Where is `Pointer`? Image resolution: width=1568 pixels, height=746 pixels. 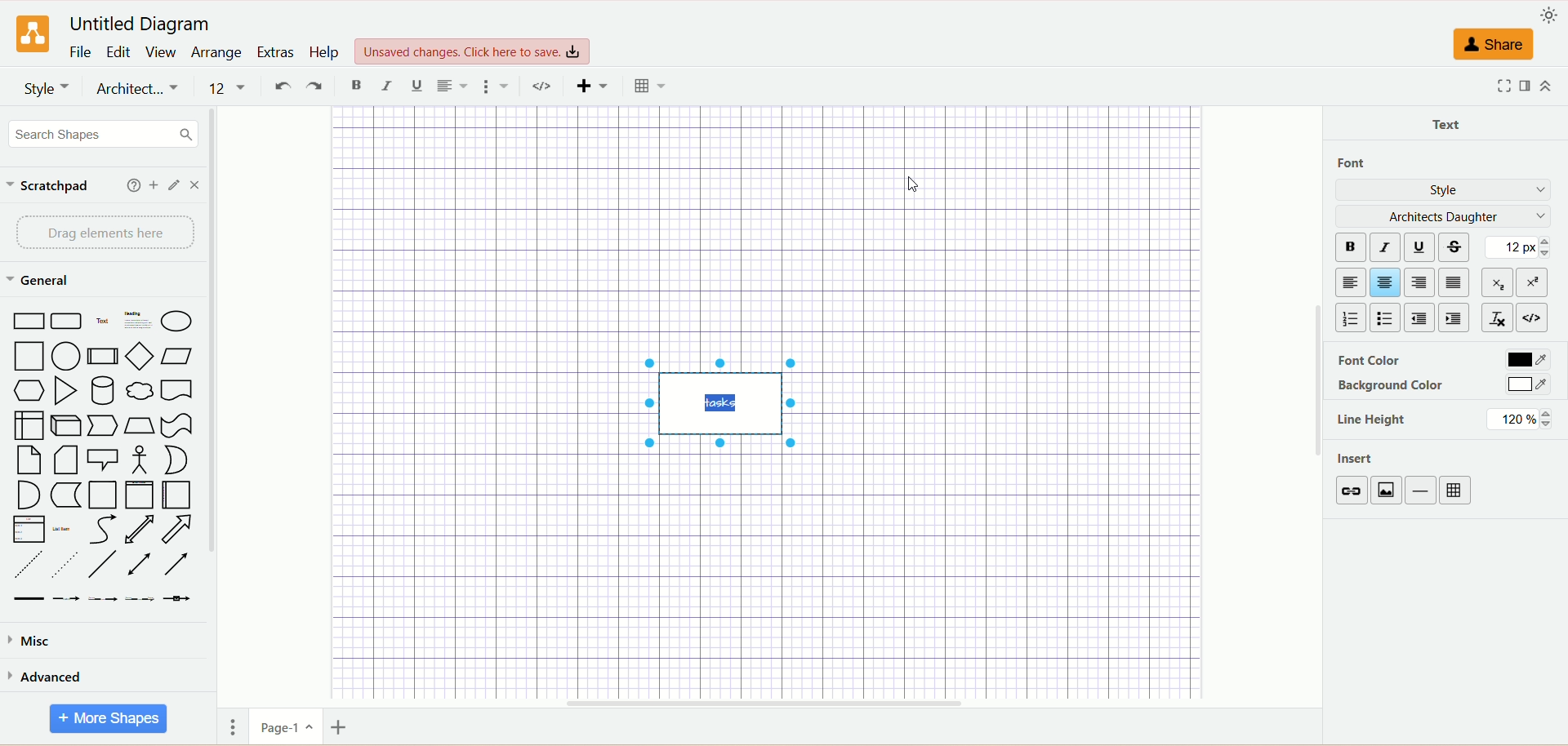
Pointer is located at coordinates (105, 427).